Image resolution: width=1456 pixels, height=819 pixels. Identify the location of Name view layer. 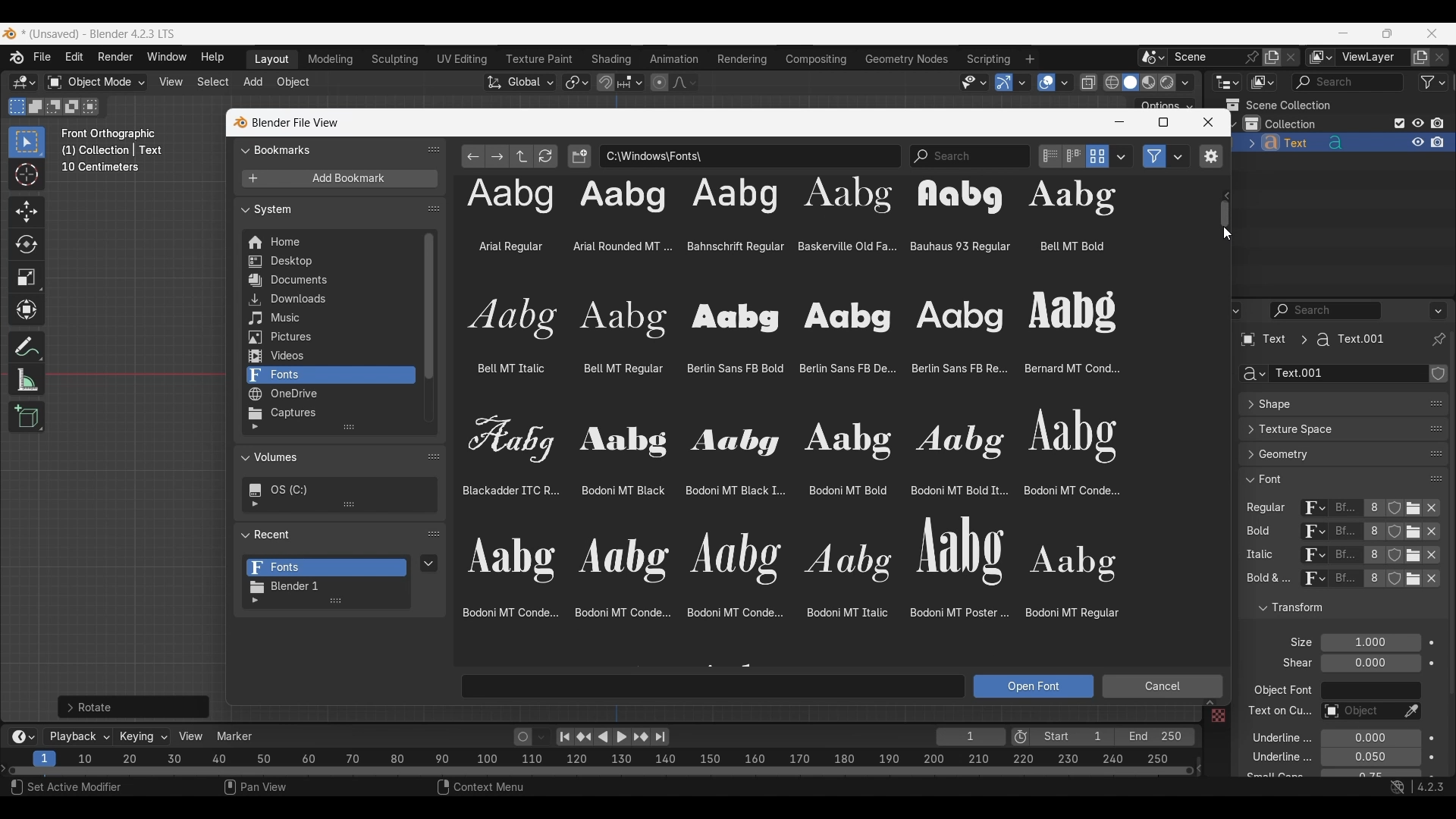
(1373, 58).